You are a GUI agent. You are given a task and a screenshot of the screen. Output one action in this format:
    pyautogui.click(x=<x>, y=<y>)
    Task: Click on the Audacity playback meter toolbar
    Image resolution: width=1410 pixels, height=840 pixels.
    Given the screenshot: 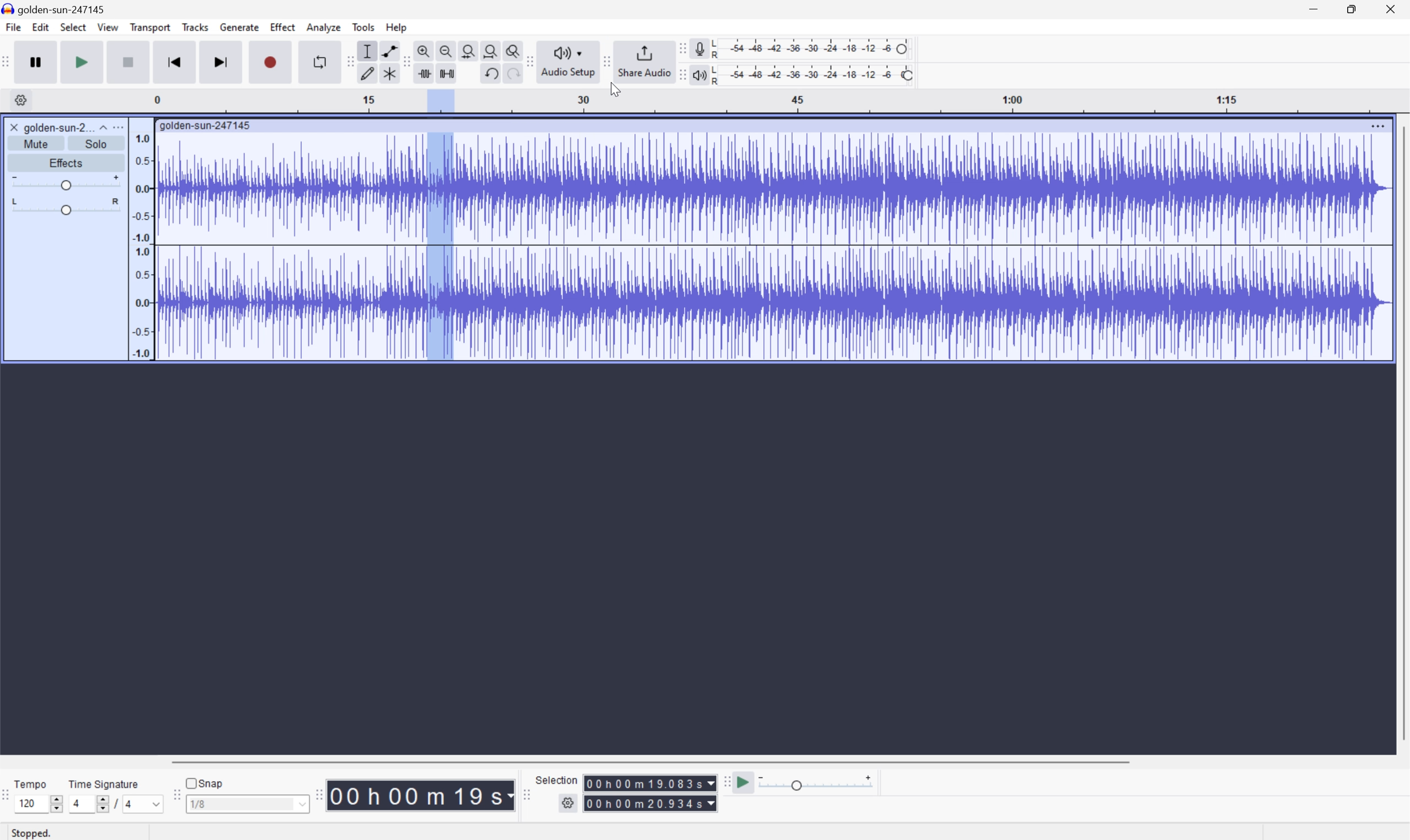 What is the action you would take?
    pyautogui.click(x=678, y=76)
    